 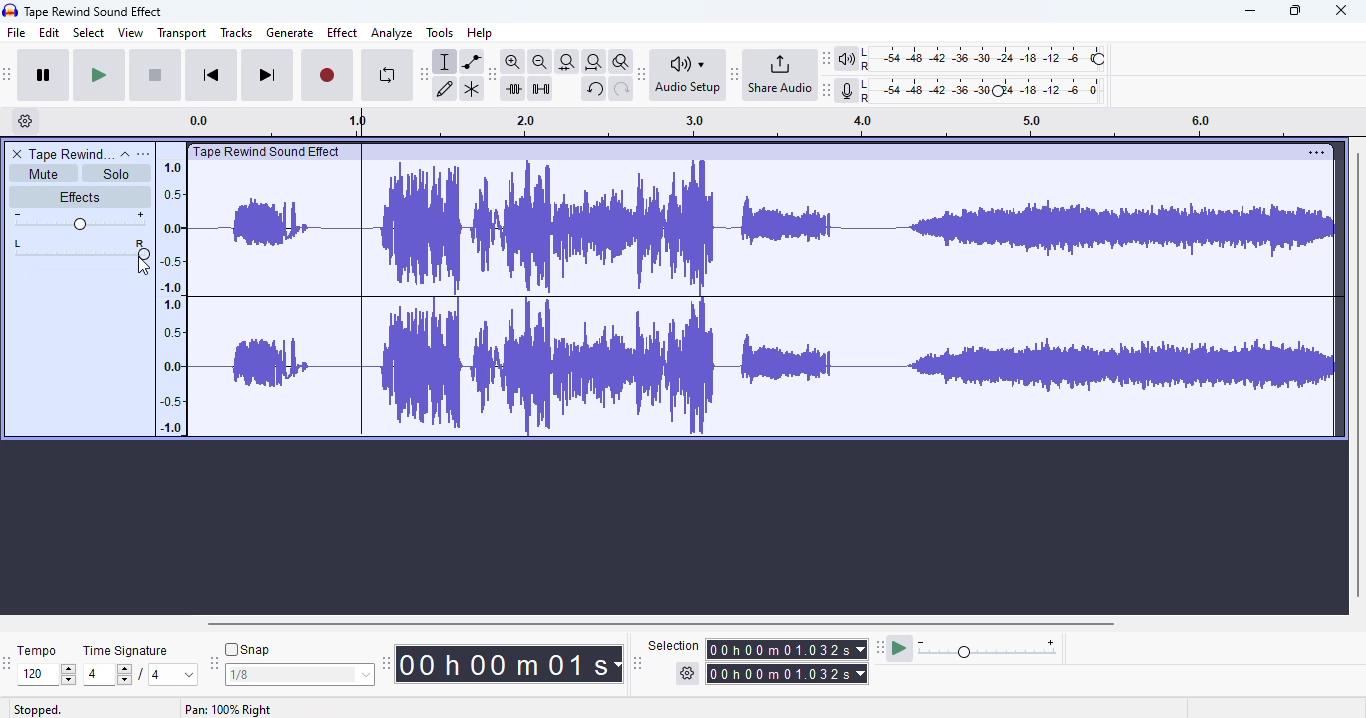 What do you see at coordinates (115, 174) in the screenshot?
I see `solo` at bounding box center [115, 174].